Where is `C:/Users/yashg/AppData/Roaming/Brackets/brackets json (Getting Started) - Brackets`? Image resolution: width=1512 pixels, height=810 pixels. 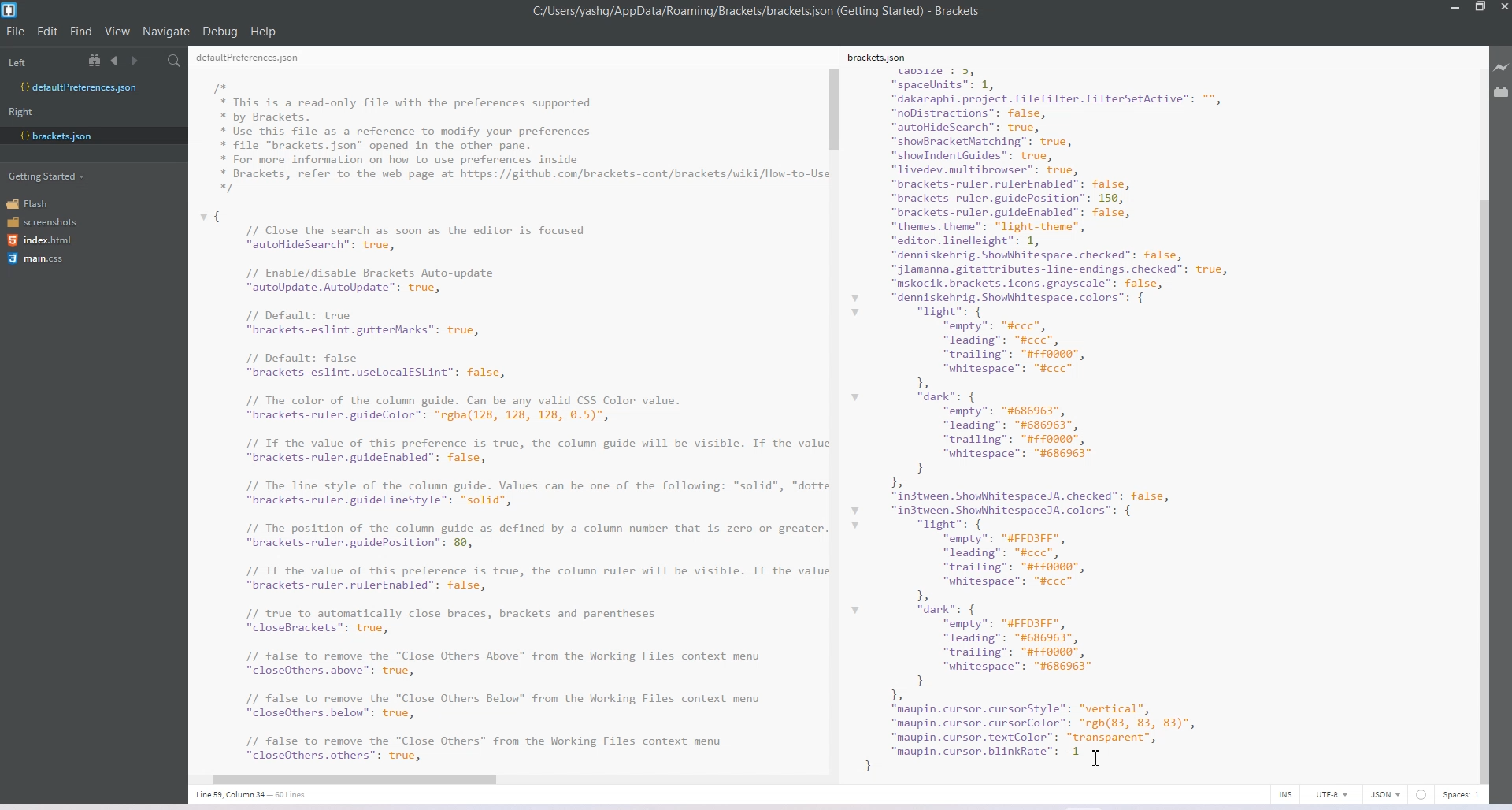
C:/Users/yashg/AppData/Roaming/Brackets/brackets json (Getting Started) - Brackets is located at coordinates (758, 11).